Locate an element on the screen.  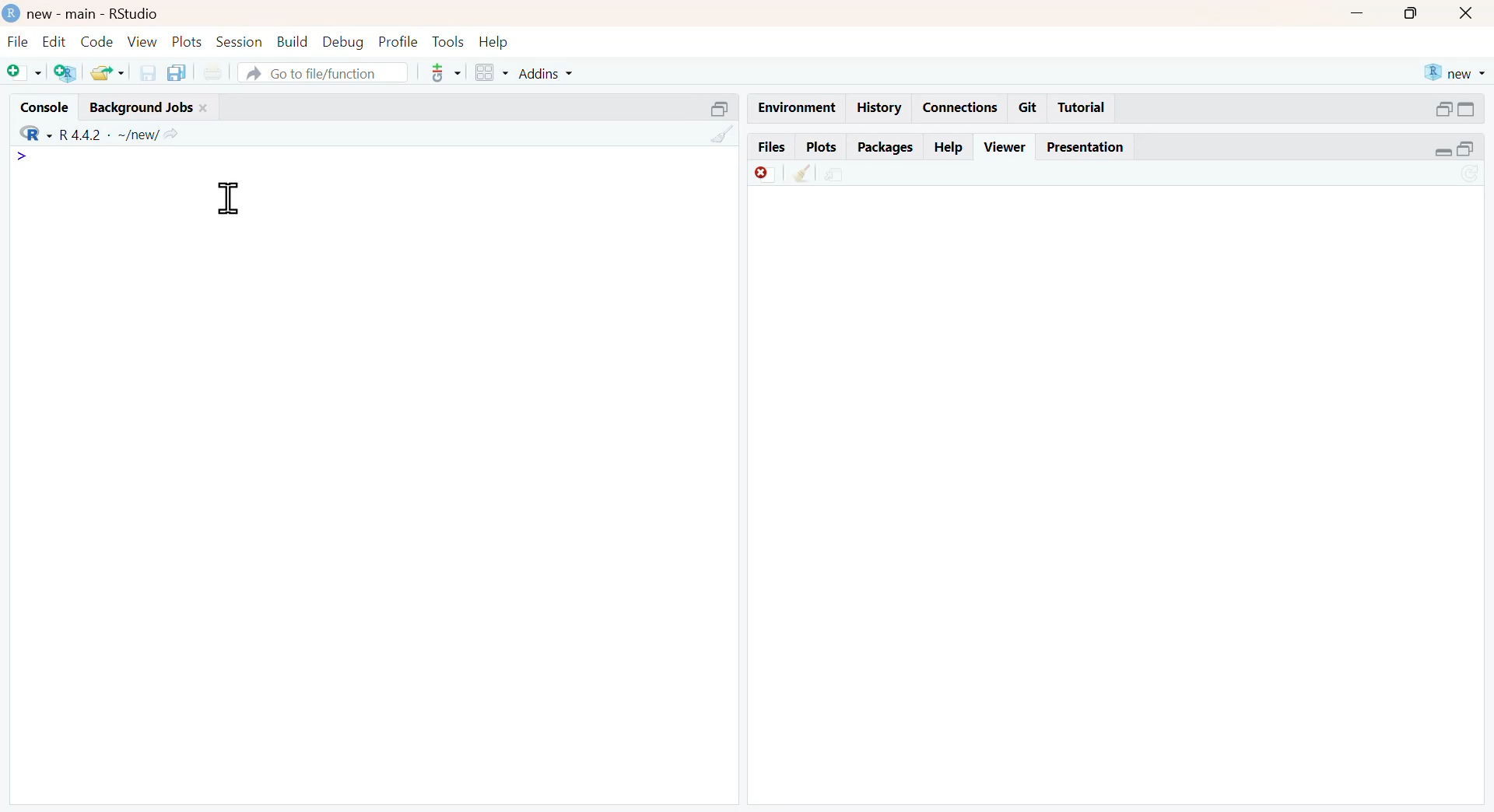
clean is located at coordinates (724, 134).